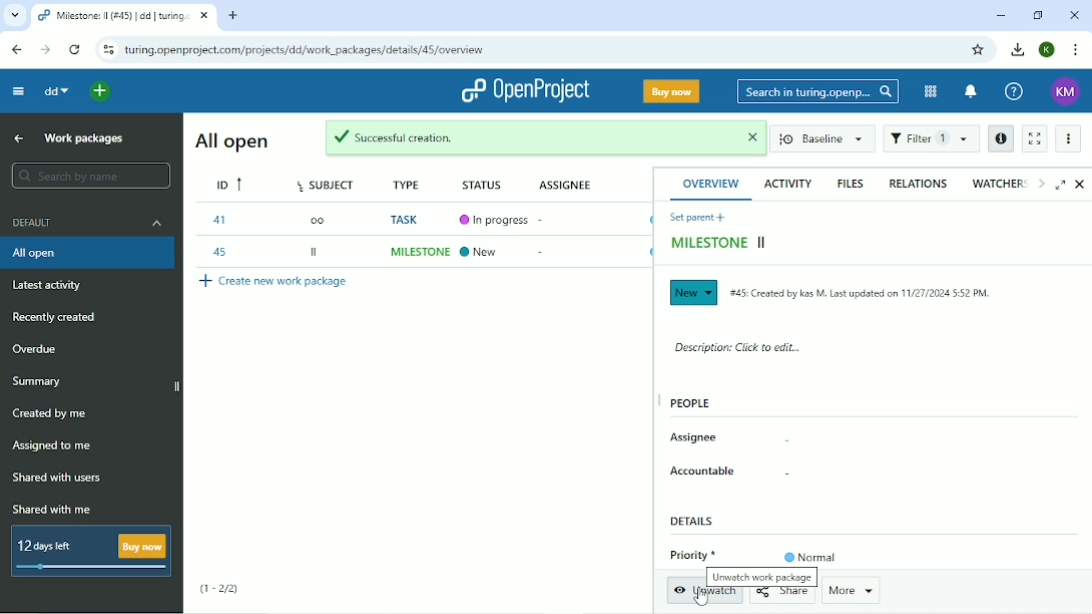 Image resolution: width=1092 pixels, height=614 pixels. Describe the element at coordinates (90, 254) in the screenshot. I see `All open` at that location.